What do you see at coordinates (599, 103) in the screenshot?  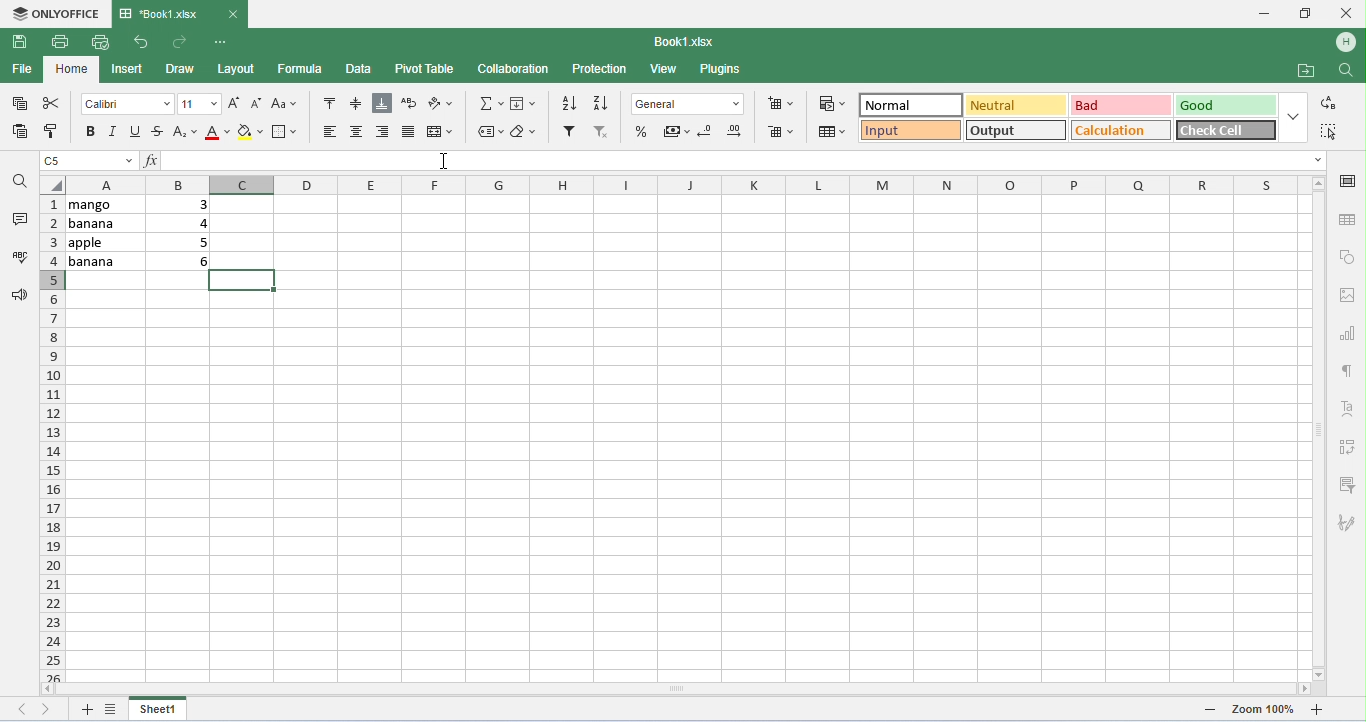 I see `sort descending` at bounding box center [599, 103].